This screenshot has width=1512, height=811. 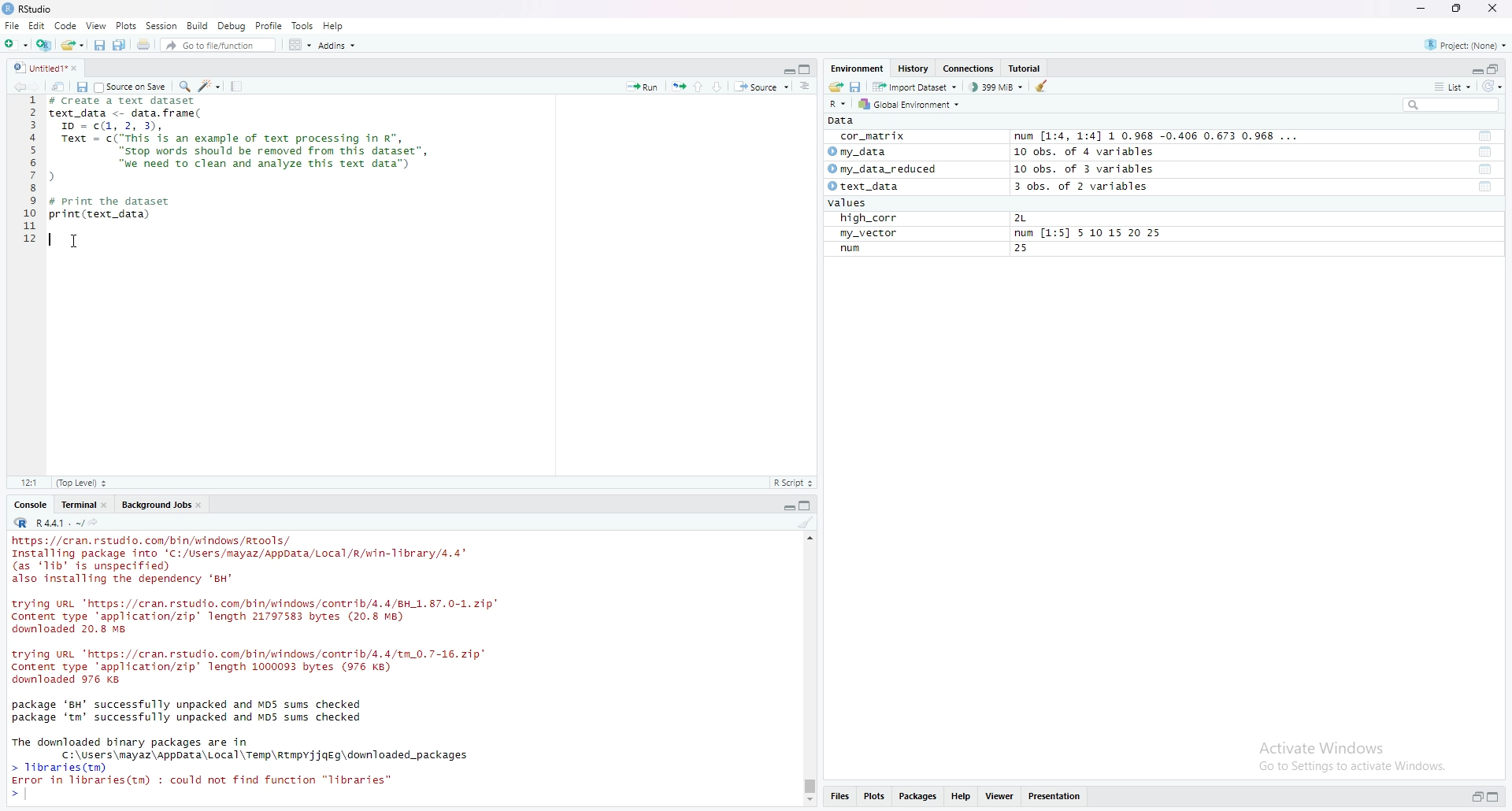 I want to click on functions, so click(x=1487, y=153).